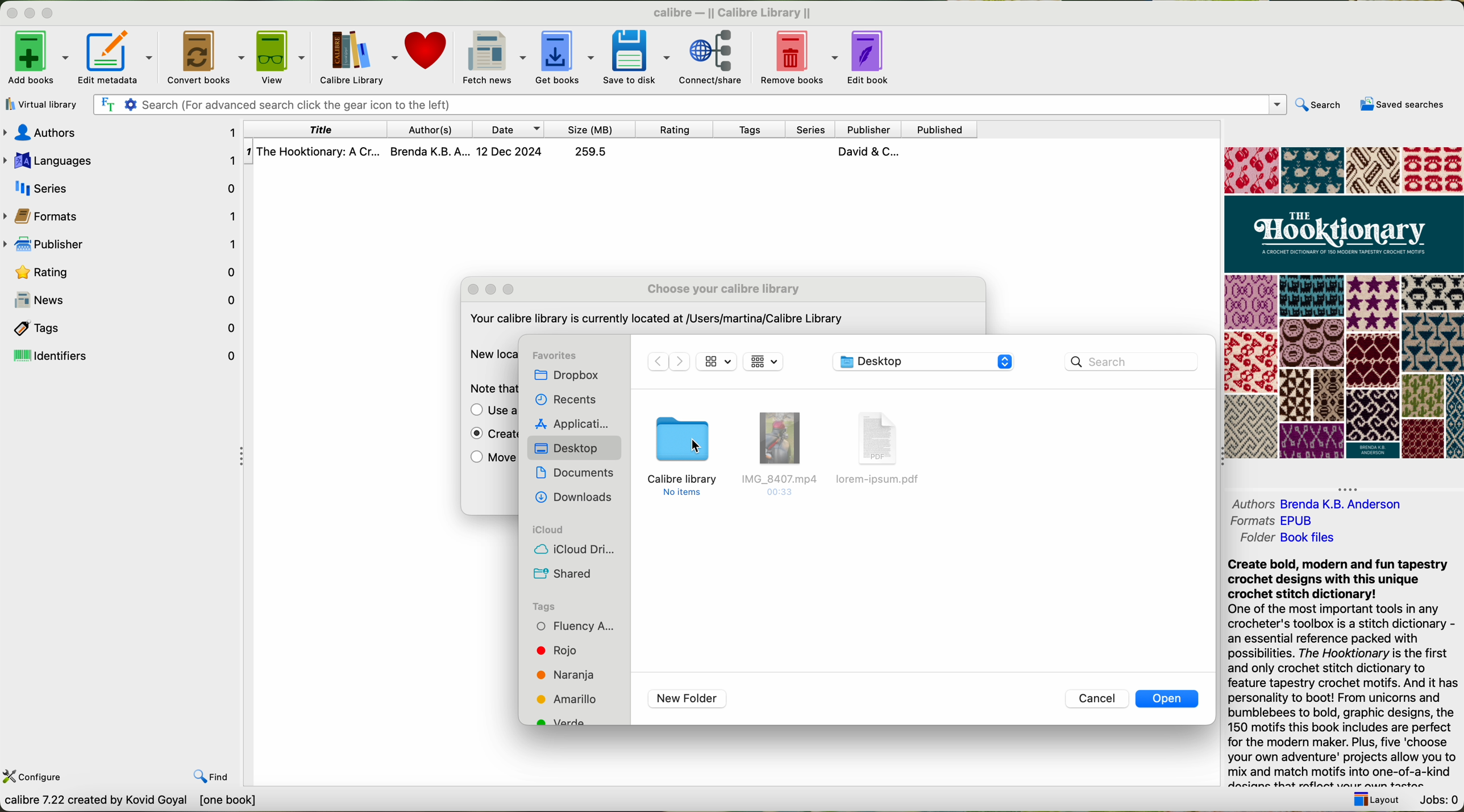 The height and width of the screenshot is (812, 1464). Describe the element at coordinates (868, 56) in the screenshot. I see `edit book` at that location.